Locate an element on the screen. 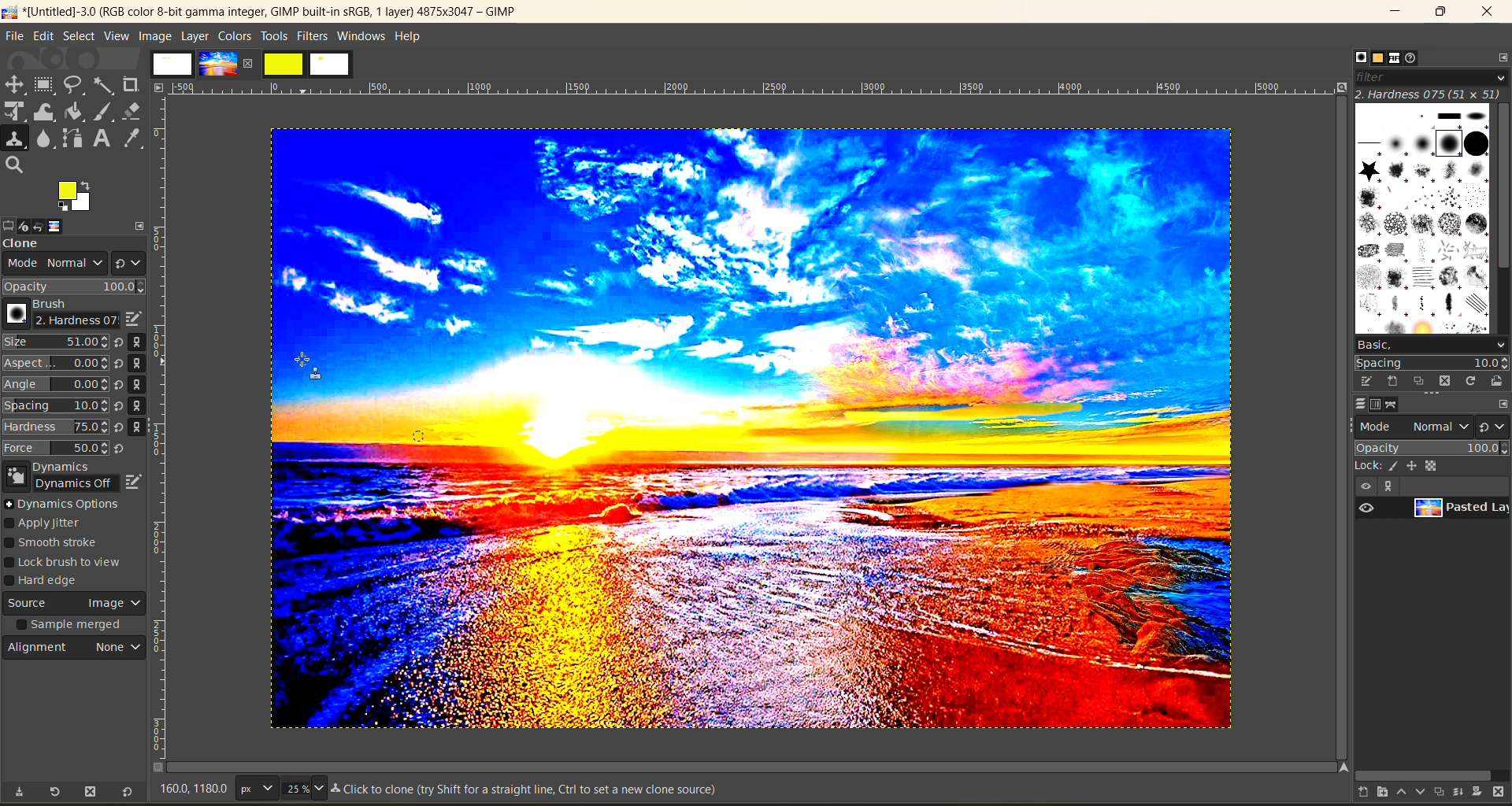  vertical scroll bar is located at coordinates (1503, 188).